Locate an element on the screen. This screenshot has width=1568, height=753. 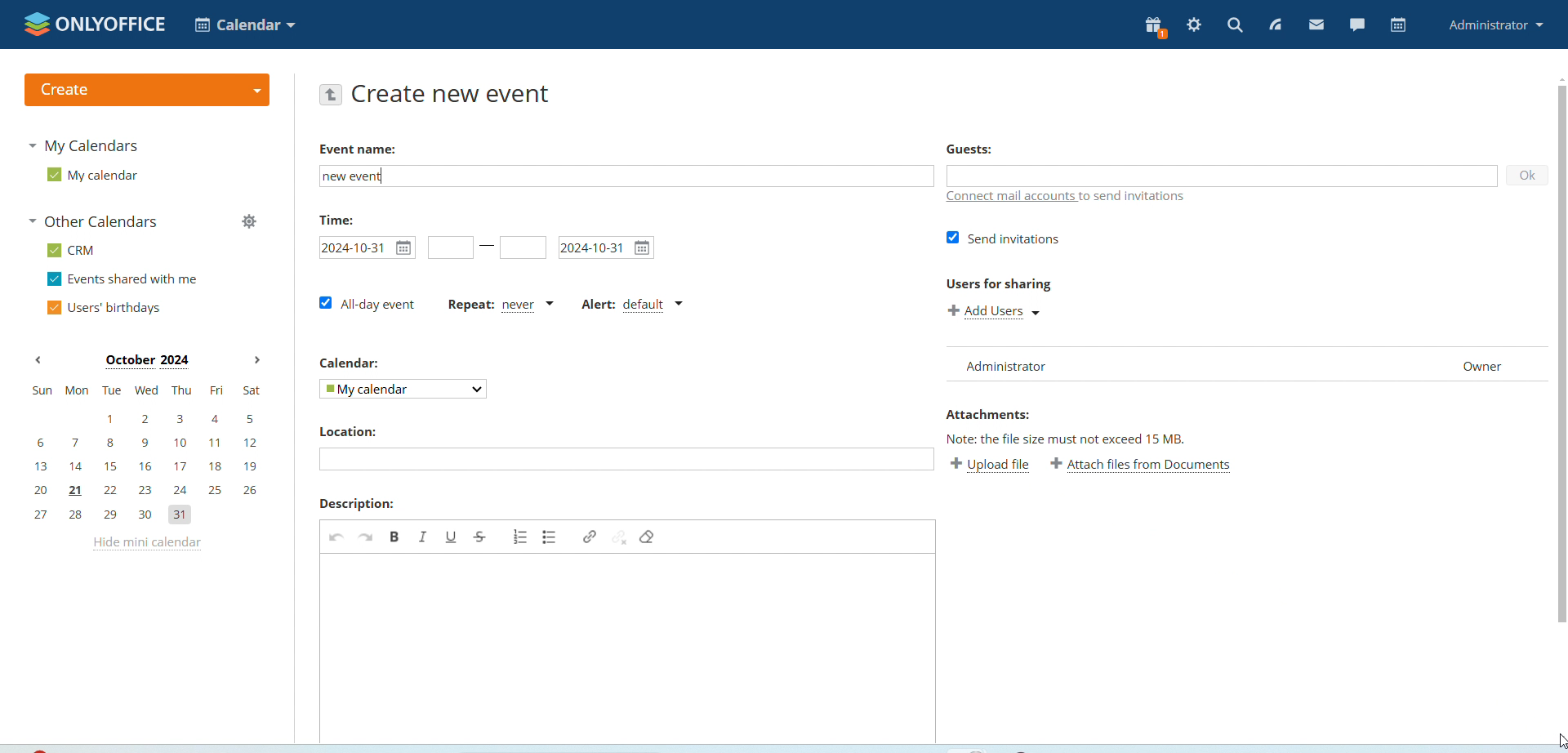
events shared with me is located at coordinates (121, 278).